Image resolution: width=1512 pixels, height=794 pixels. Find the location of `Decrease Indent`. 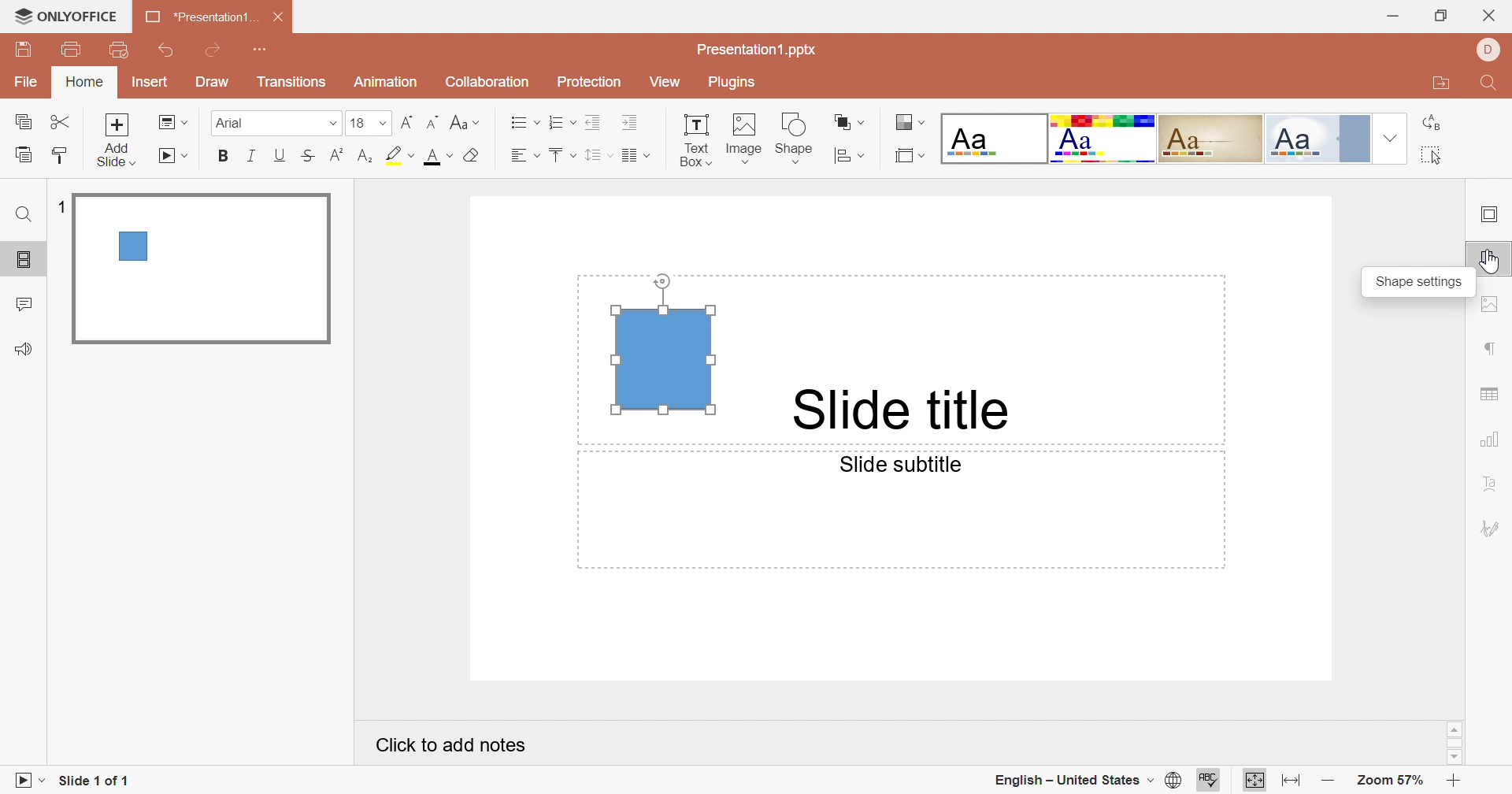

Decrease Indent is located at coordinates (595, 122).